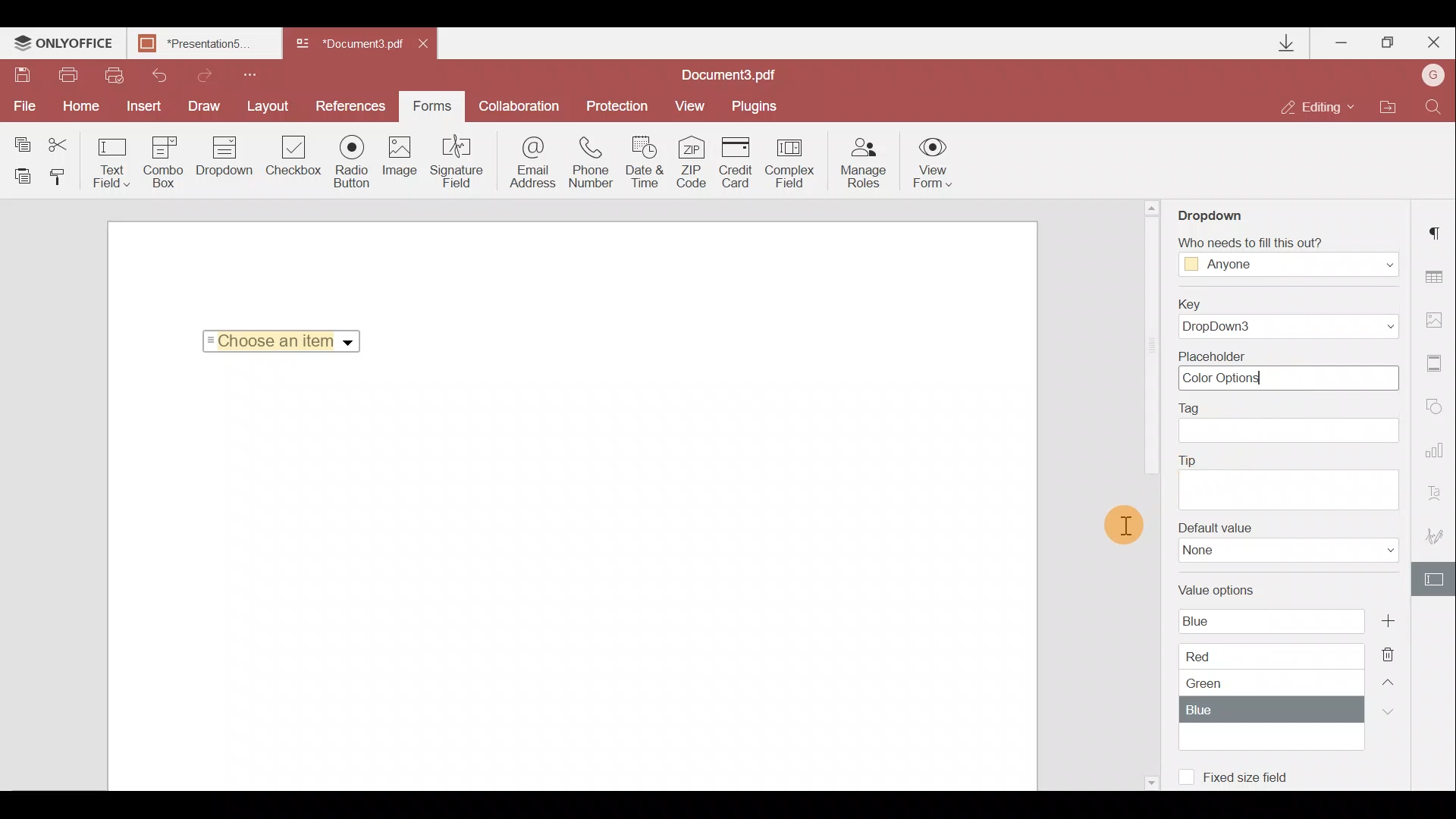 The width and height of the screenshot is (1456, 819). I want to click on Date & time, so click(648, 162).